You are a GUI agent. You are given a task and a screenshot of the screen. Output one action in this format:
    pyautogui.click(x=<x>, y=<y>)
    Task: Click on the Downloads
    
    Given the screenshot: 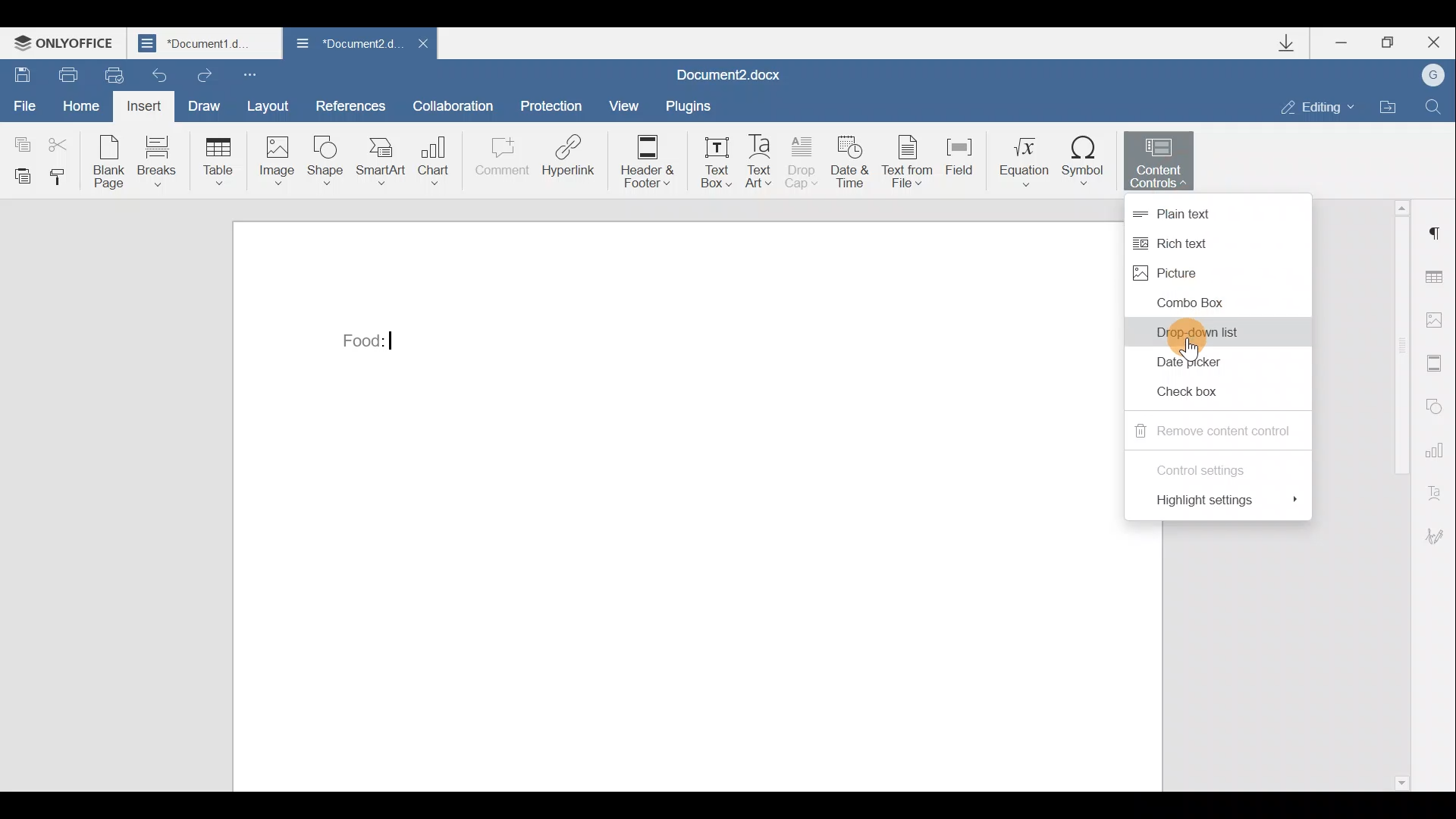 What is the action you would take?
    pyautogui.click(x=1292, y=43)
    